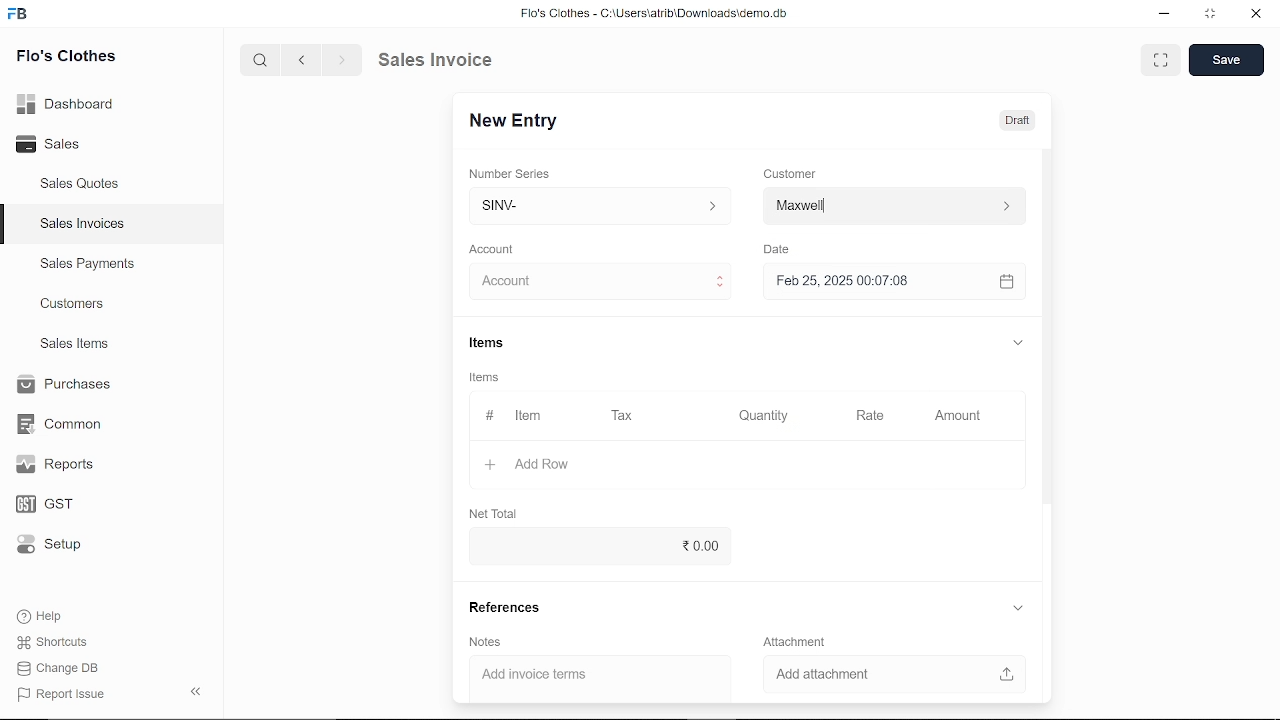 This screenshot has height=720, width=1280. What do you see at coordinates (596, 281) in the screenshot?
I see `Insert Account ` at bounding box center [596, 281].